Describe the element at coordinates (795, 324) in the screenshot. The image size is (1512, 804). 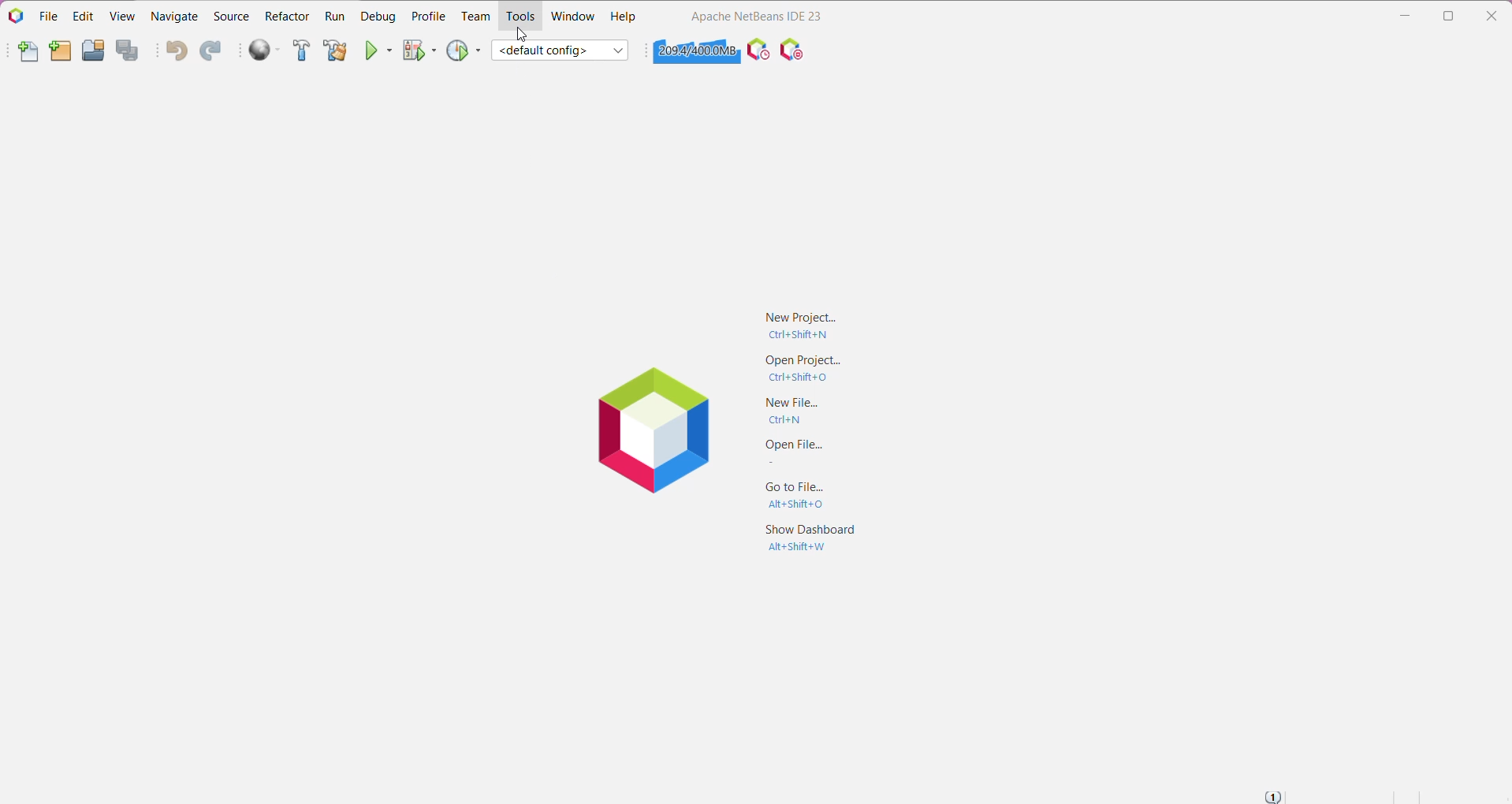
I see `New Project` at that location.